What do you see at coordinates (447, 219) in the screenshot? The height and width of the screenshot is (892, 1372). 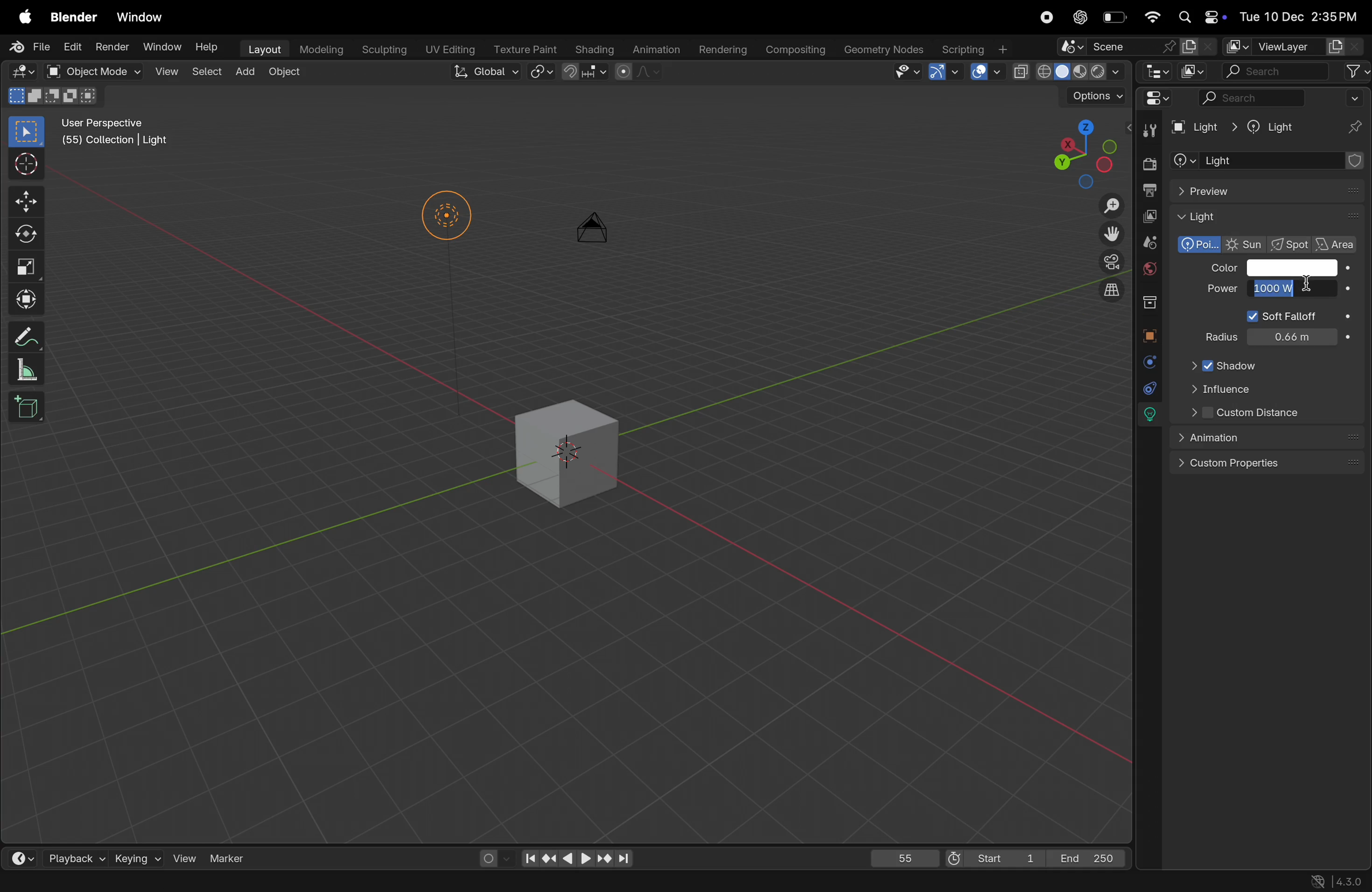 I see `Lights` at bounding box center [447, 219].